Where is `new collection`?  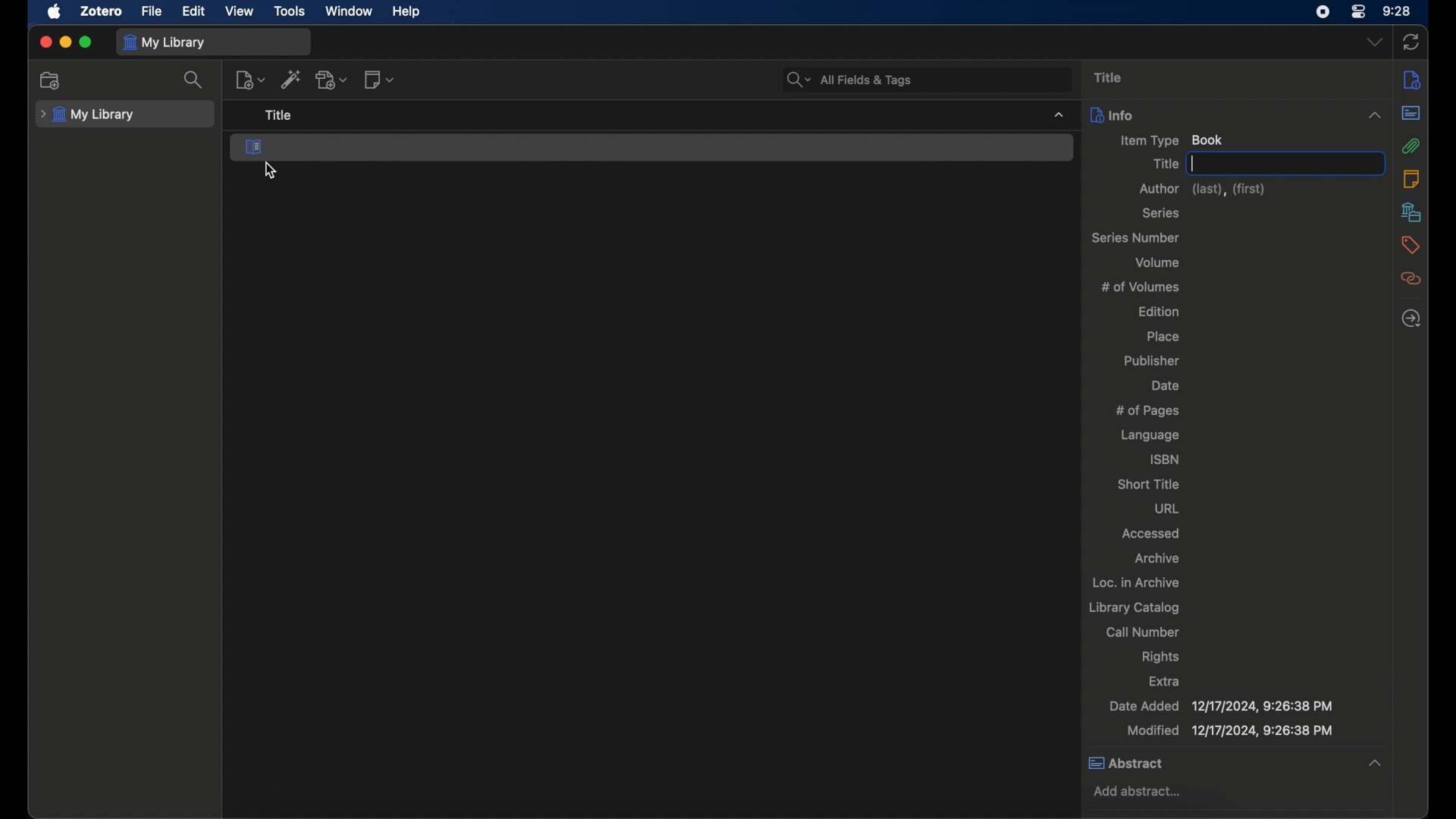 new collection is located at coordinates (49, 80).